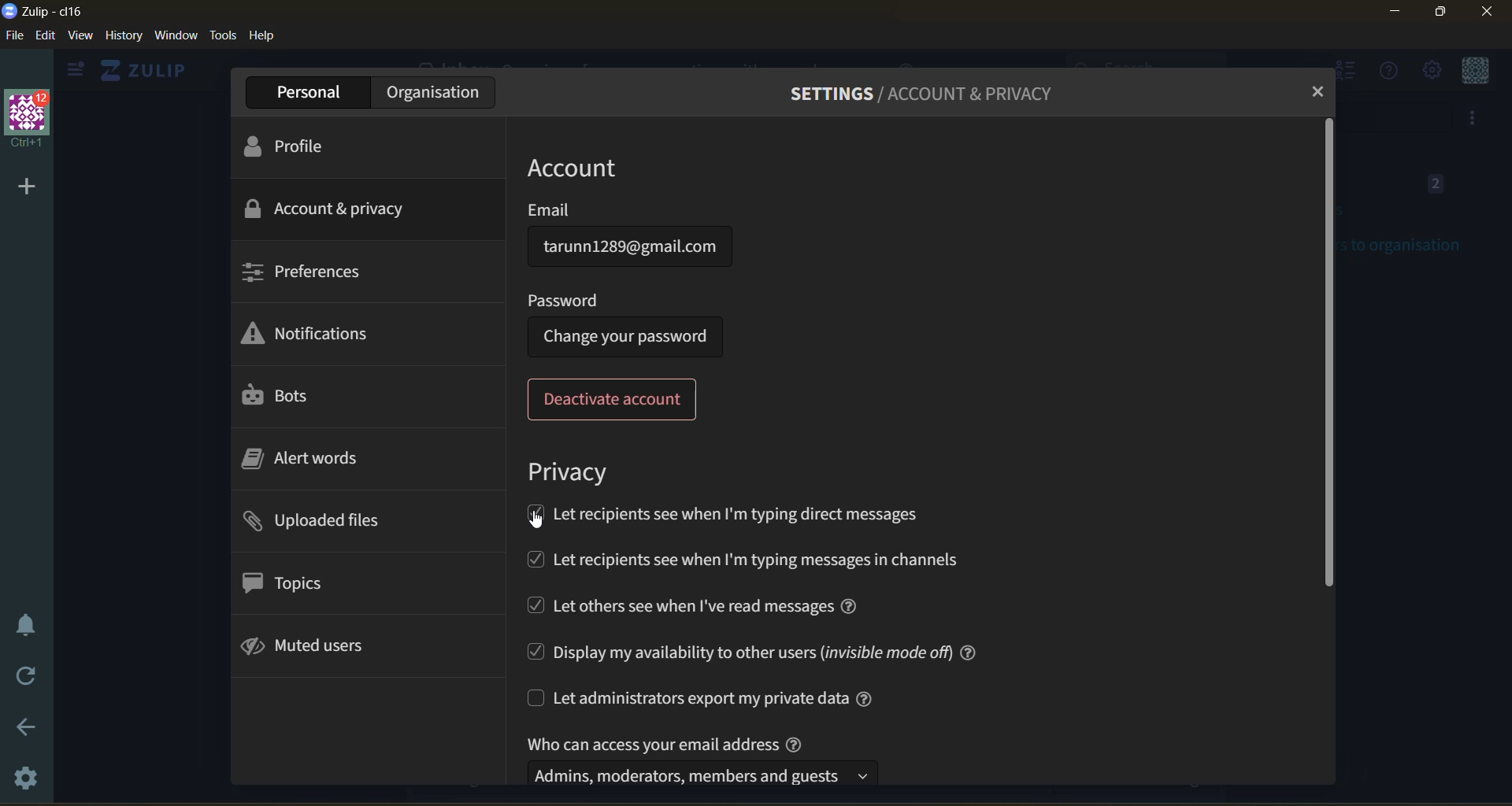  What do you see at coordinates (30, 120) in the screenshot?
I see `organisation name and profile picture` at bounding box center [30, 120].